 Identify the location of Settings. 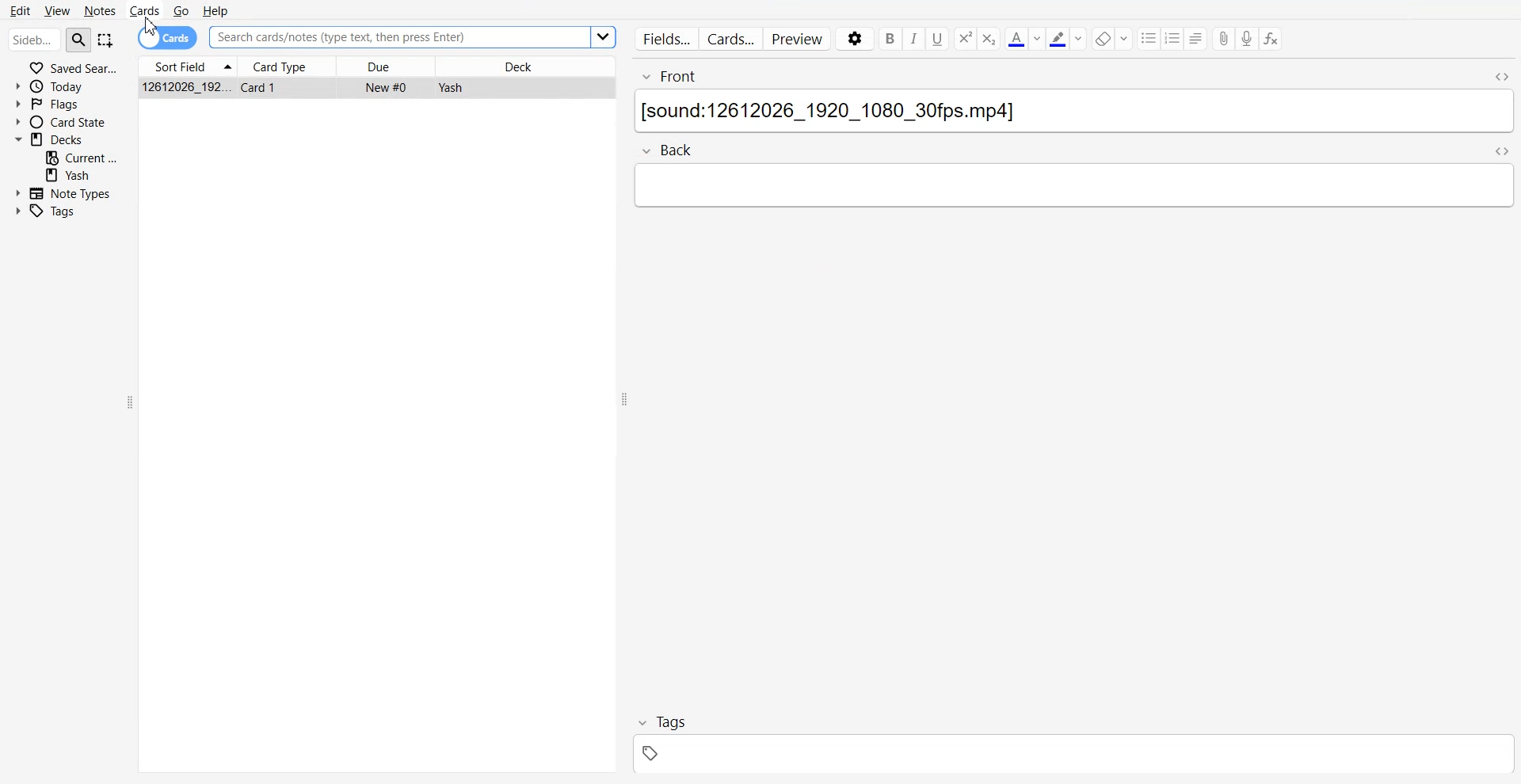
(853, 40).